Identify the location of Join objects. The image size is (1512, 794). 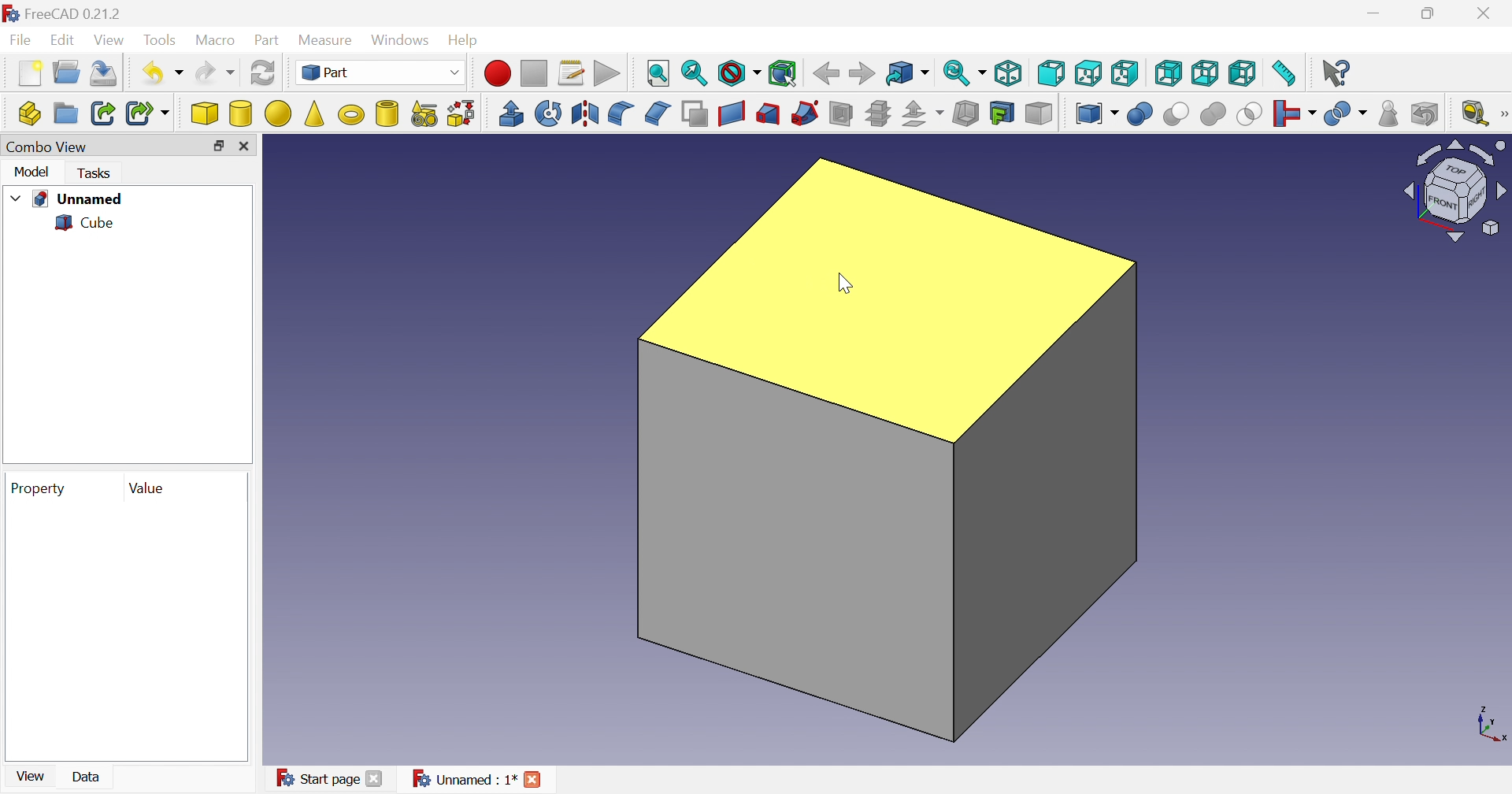
(1297, 113).